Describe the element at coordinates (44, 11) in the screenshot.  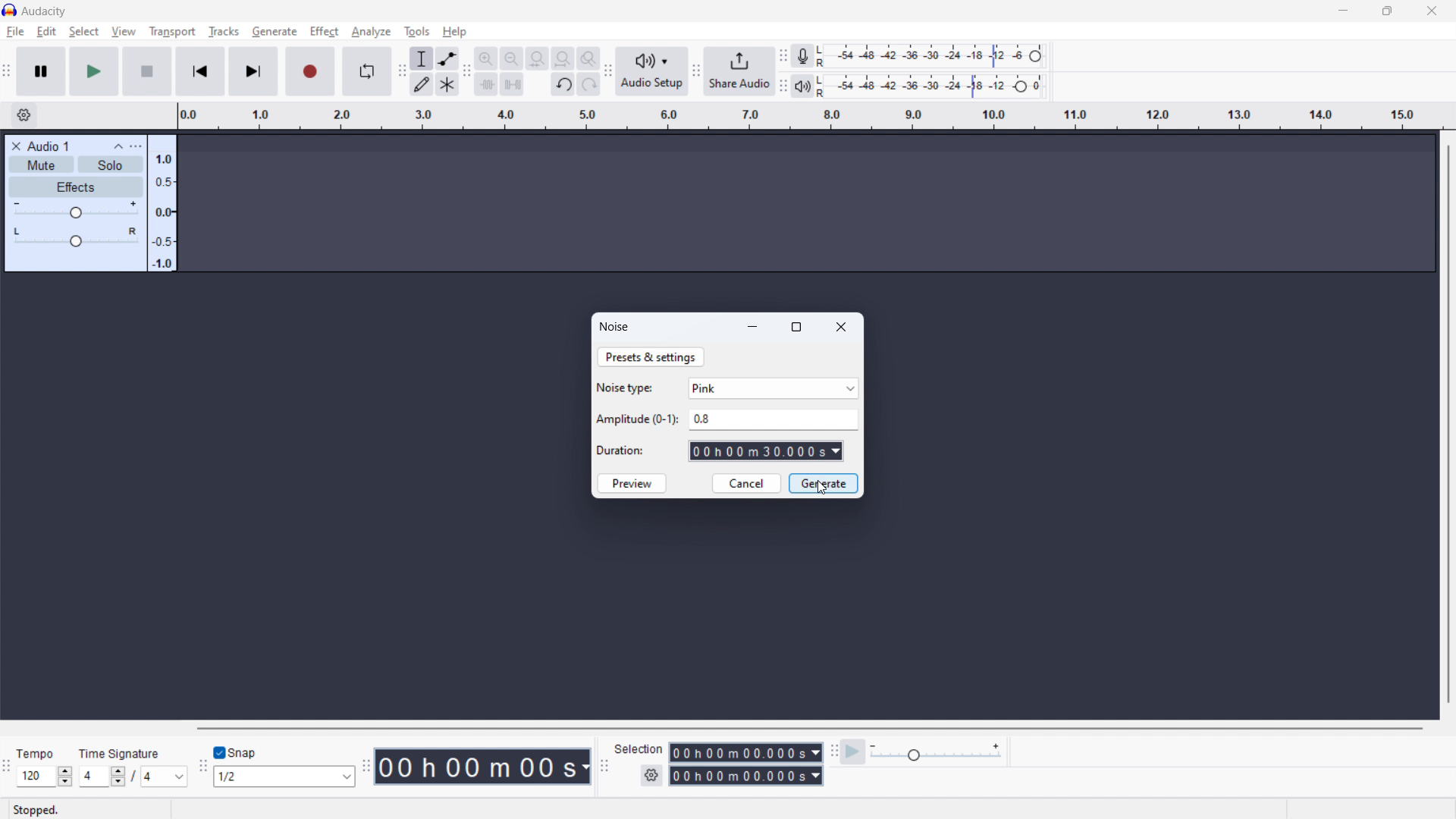
I see `title` at that location.